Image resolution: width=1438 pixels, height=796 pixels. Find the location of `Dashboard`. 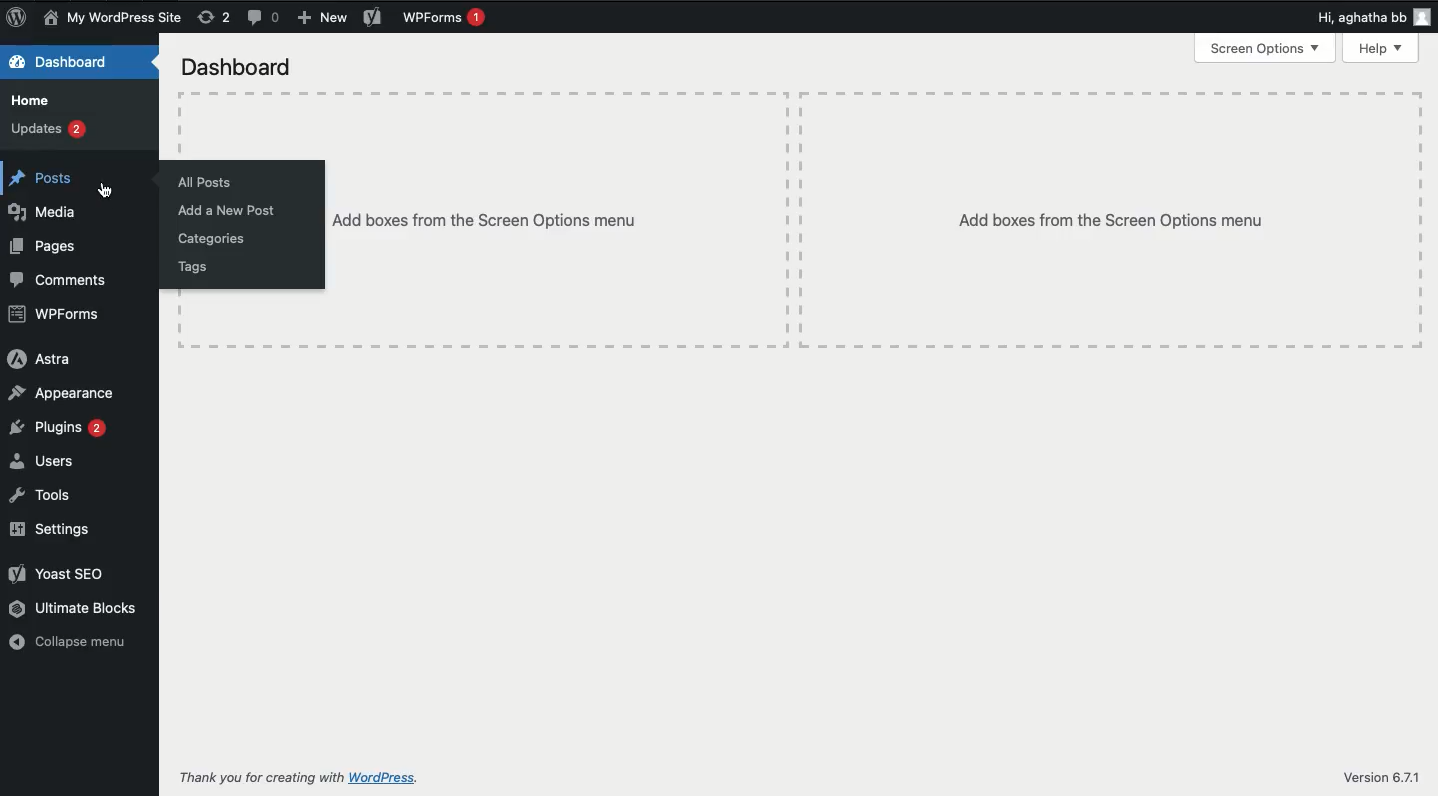

Dashboard is located at coordinates (69, 63).